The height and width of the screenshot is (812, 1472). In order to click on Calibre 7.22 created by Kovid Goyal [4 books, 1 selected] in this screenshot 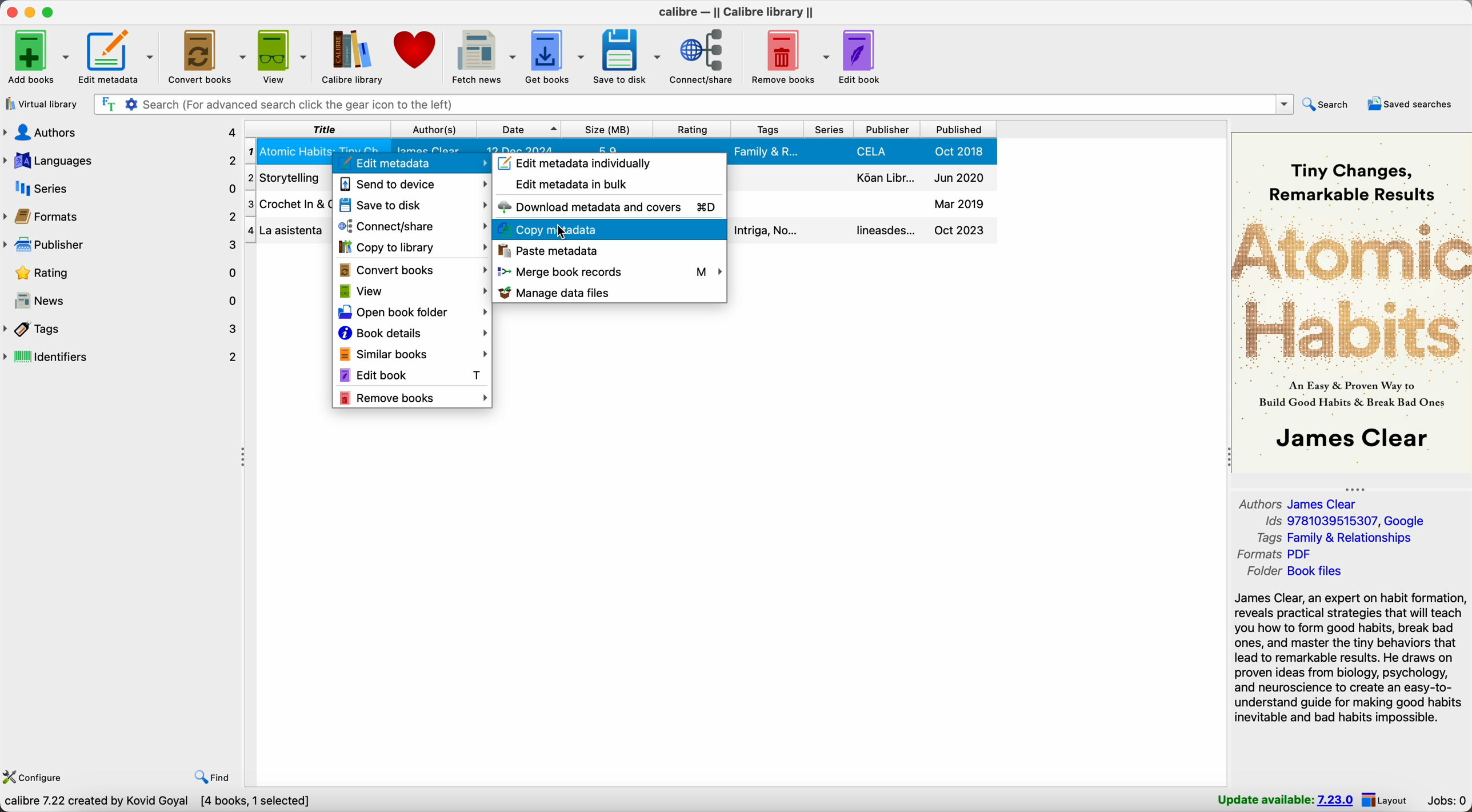, I will do `click(157, 802)`.